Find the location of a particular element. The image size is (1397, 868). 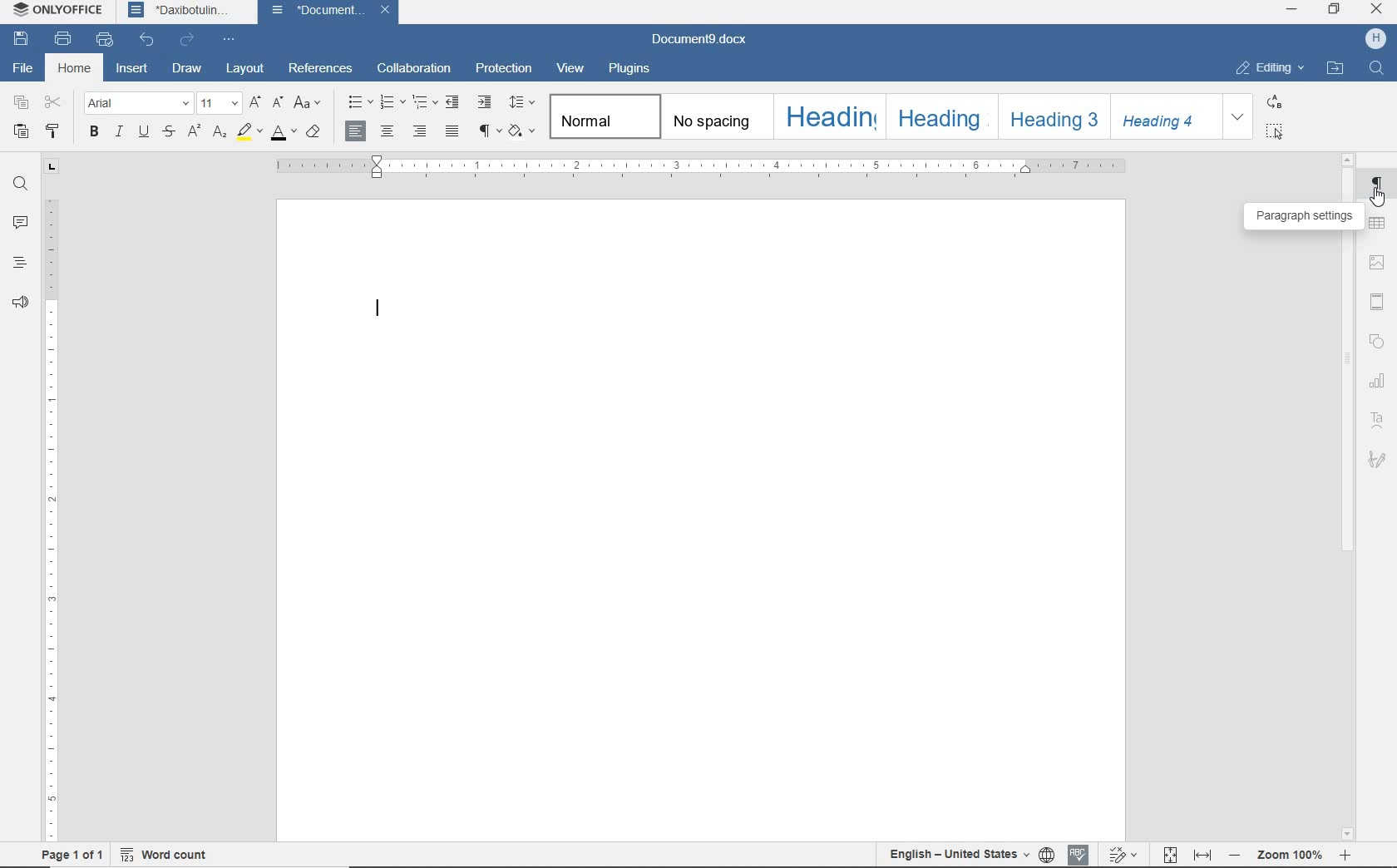

font color is located at coordinates (283, 133).